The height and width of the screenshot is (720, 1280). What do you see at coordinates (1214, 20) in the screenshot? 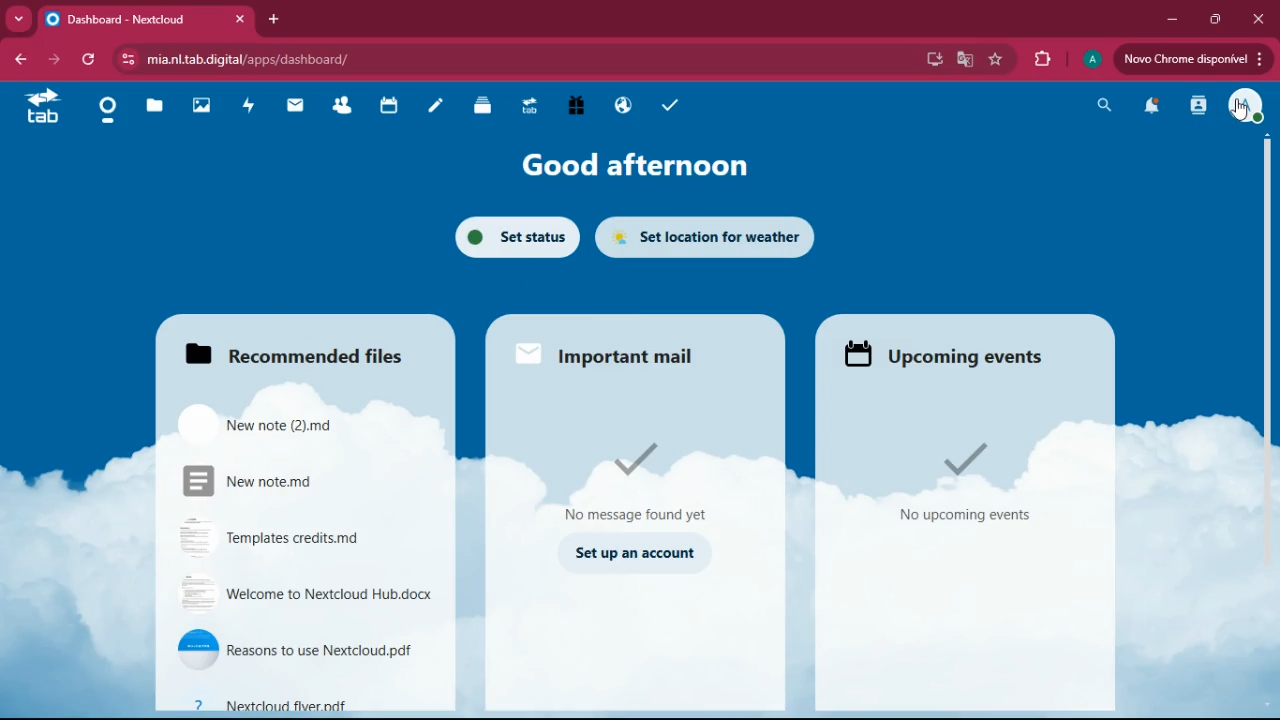
I see `maximize` at bounding box center [1214, 20].